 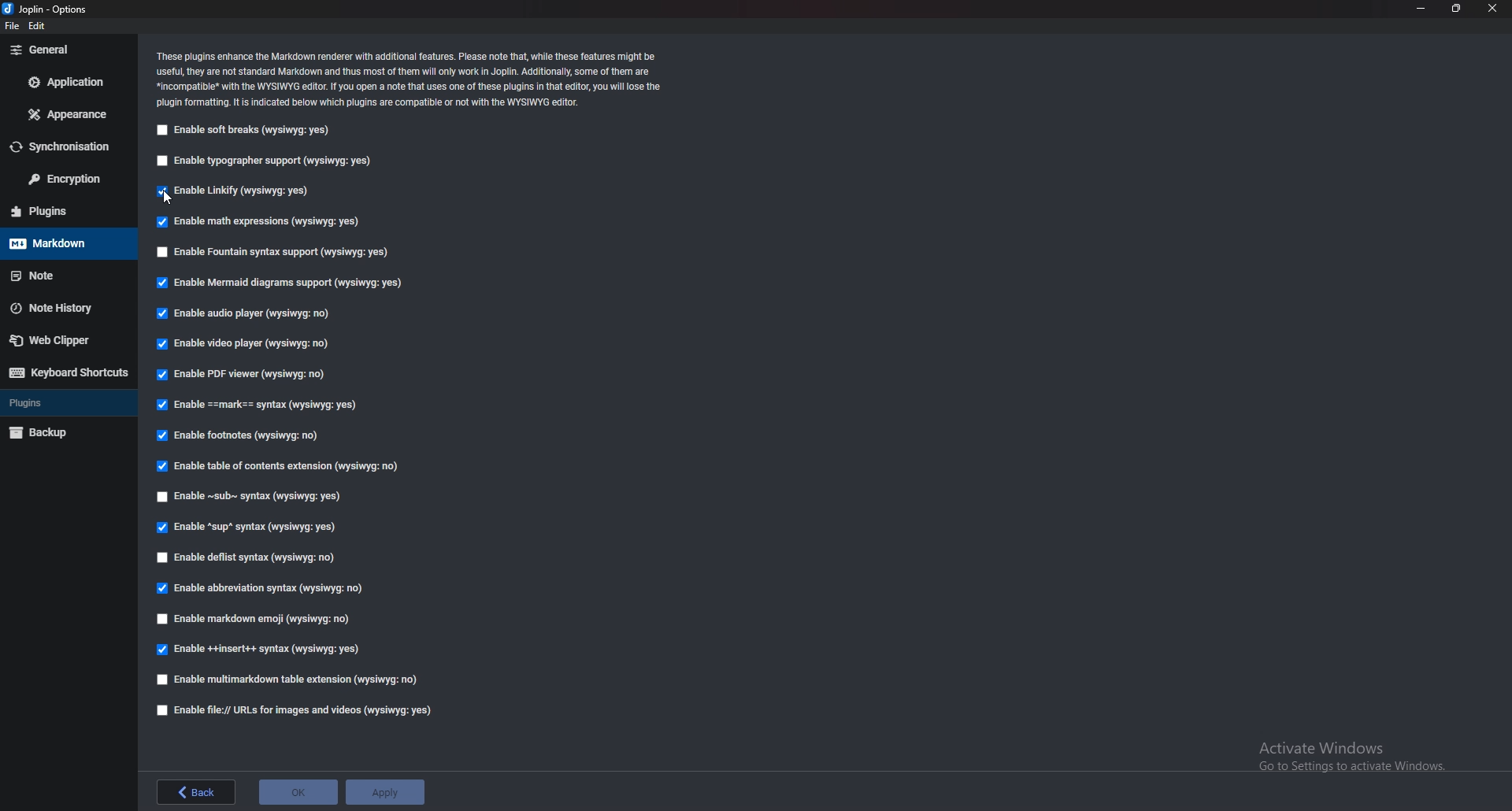 I want to click on Enable linkify, so click(x=233, y=191).